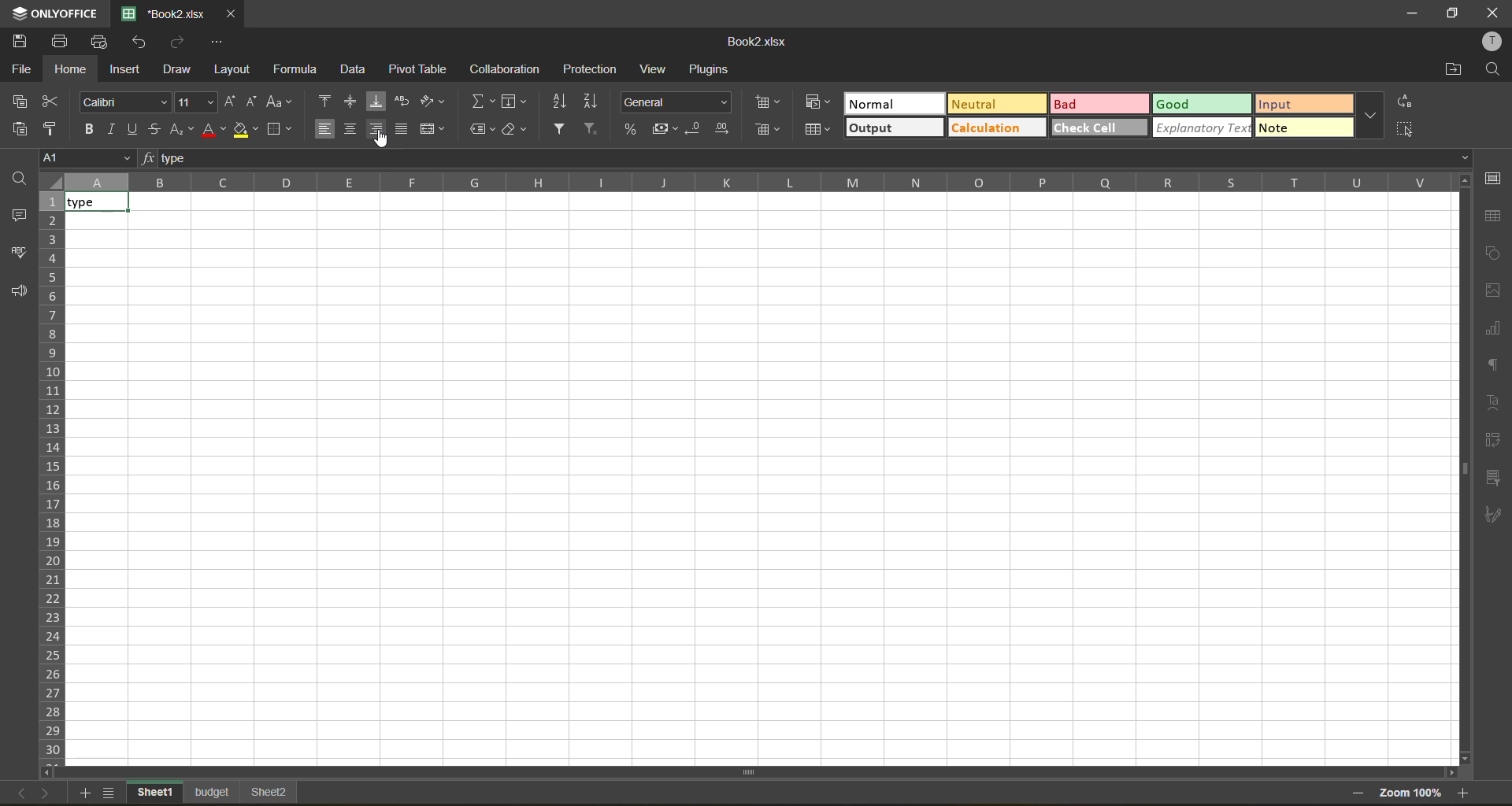 The image size is (1512, 806). I want to click on feedback, so click(20, 293).